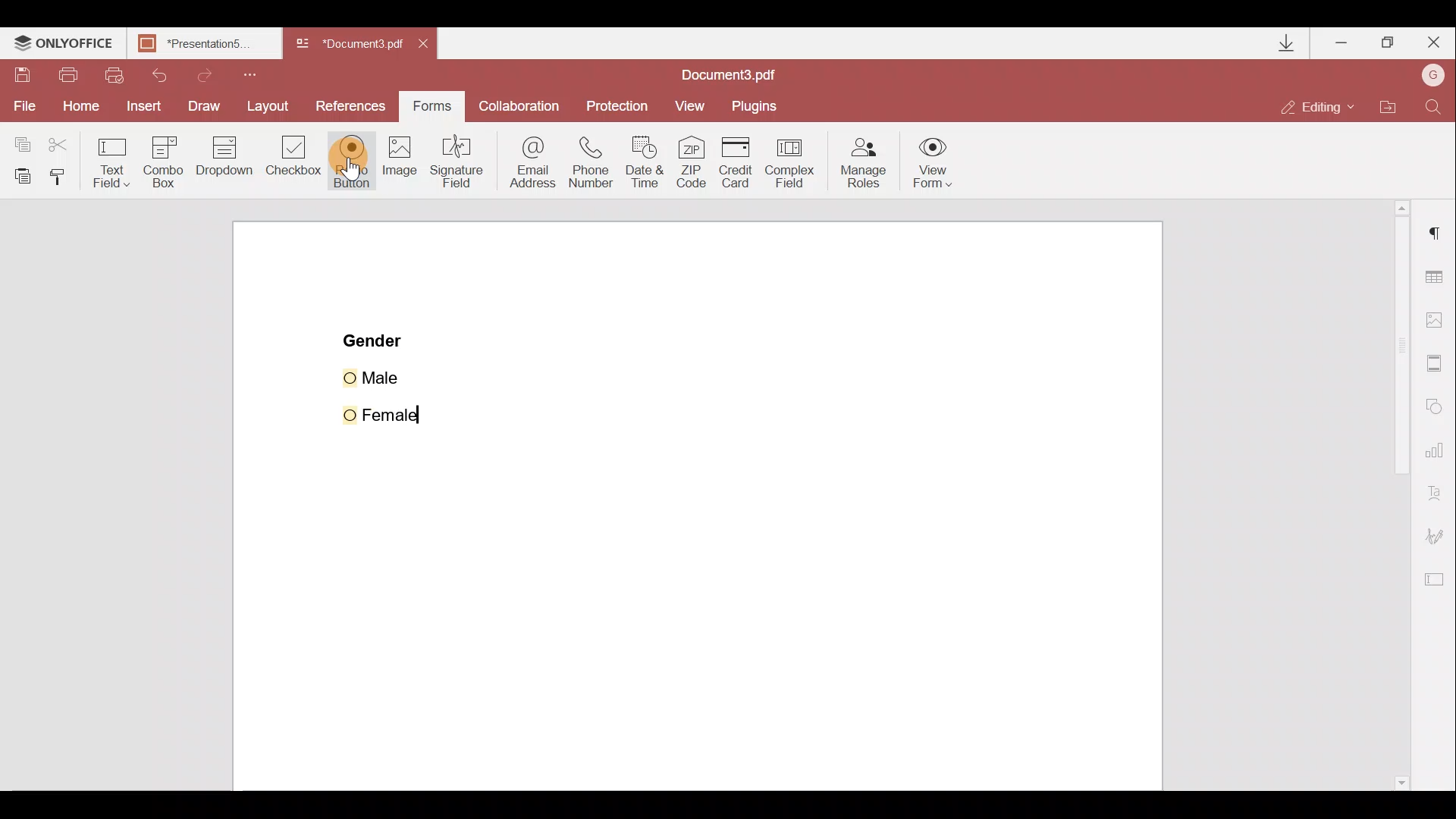 This screenshot has height=819, width=1456. Describe the element at coordinates (24, 76) in the screenshot. I see `Save` at that location.